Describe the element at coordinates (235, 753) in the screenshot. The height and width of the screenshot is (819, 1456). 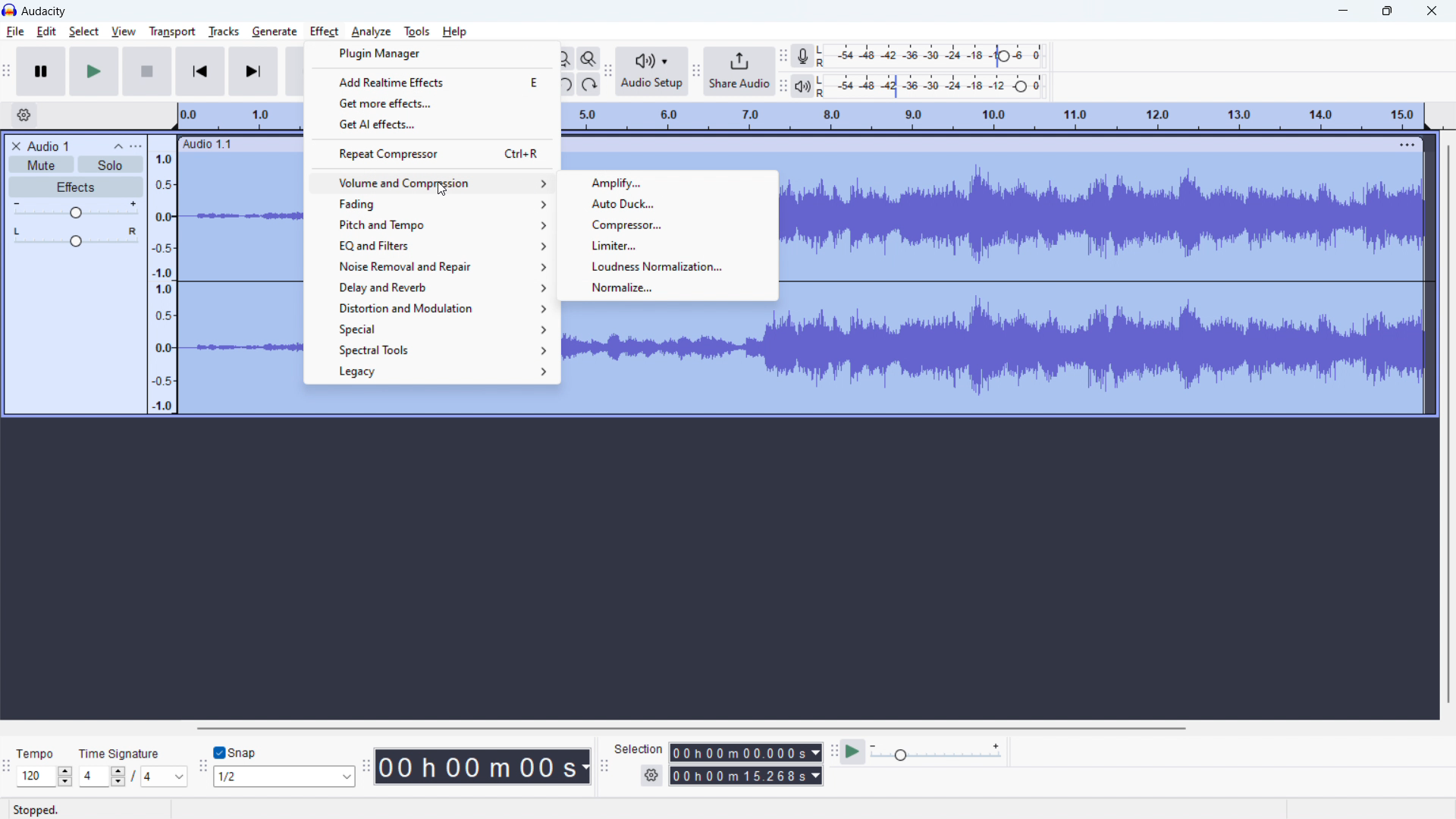
I see `toggle snap` at that location.